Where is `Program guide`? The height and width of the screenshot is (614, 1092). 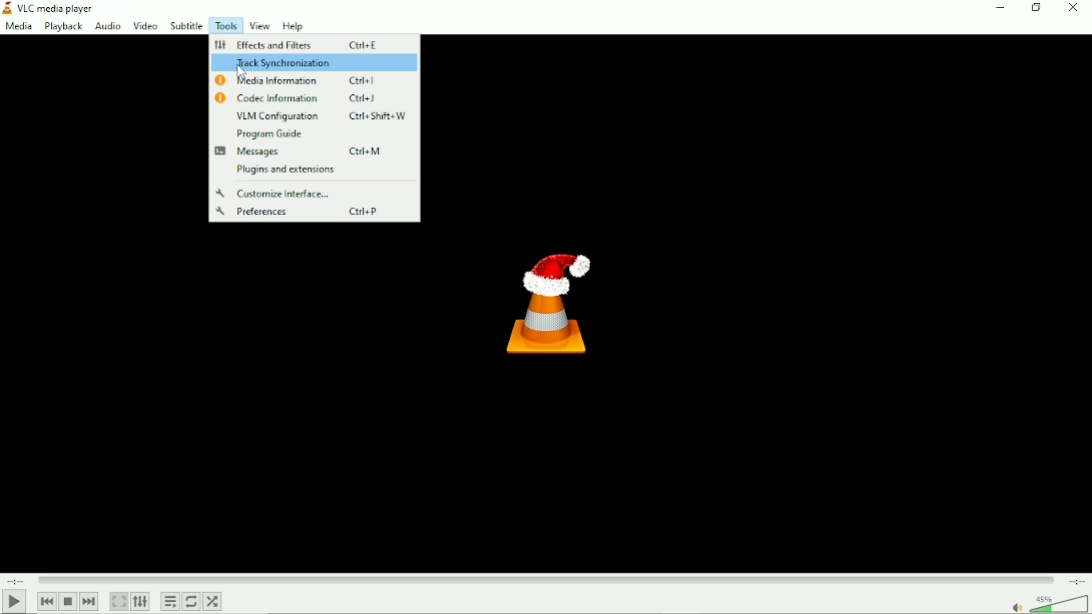 Program guide is located at coordinates (272, 133).